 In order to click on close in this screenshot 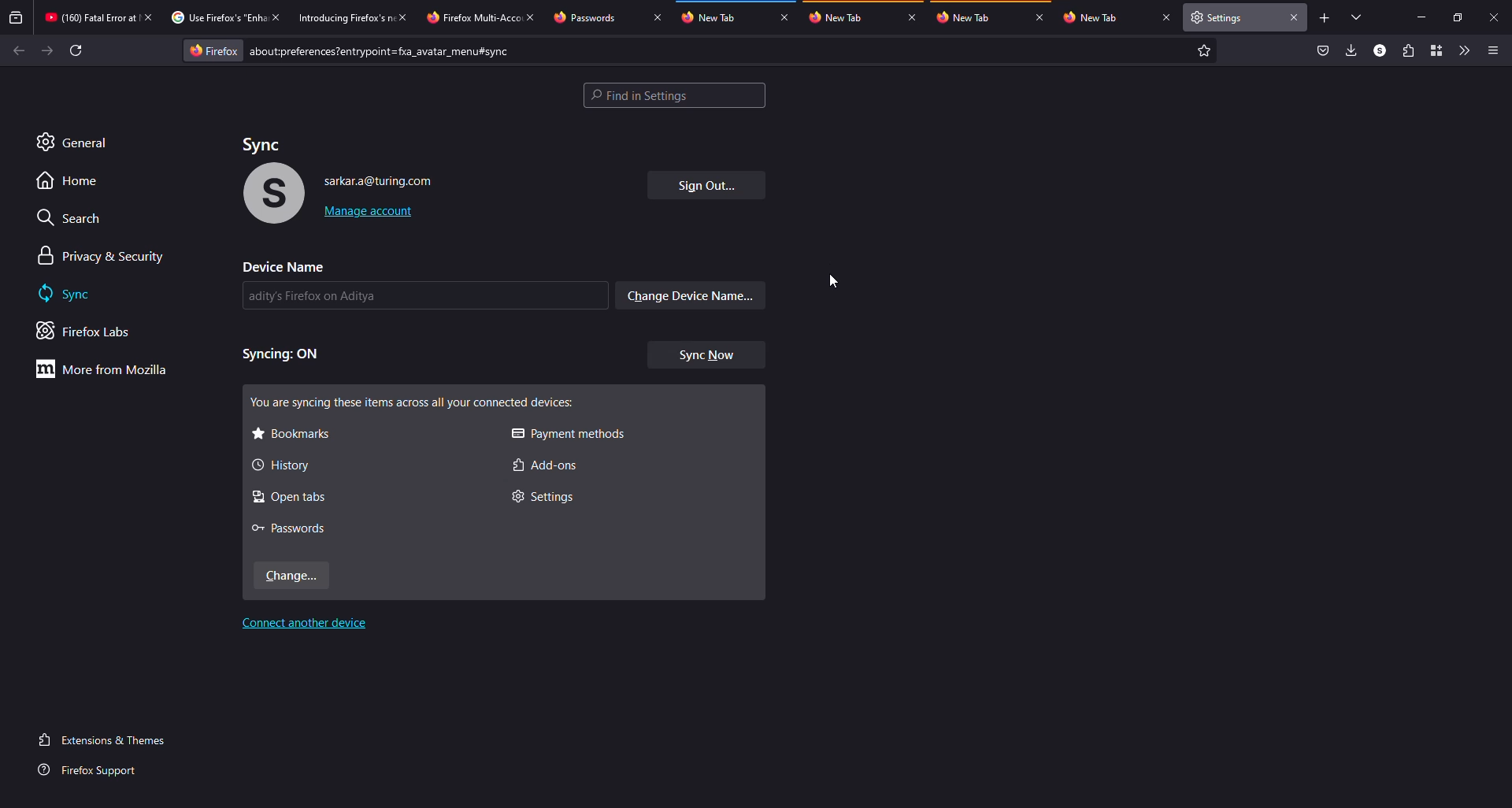, I will do `click(656, 17)`.